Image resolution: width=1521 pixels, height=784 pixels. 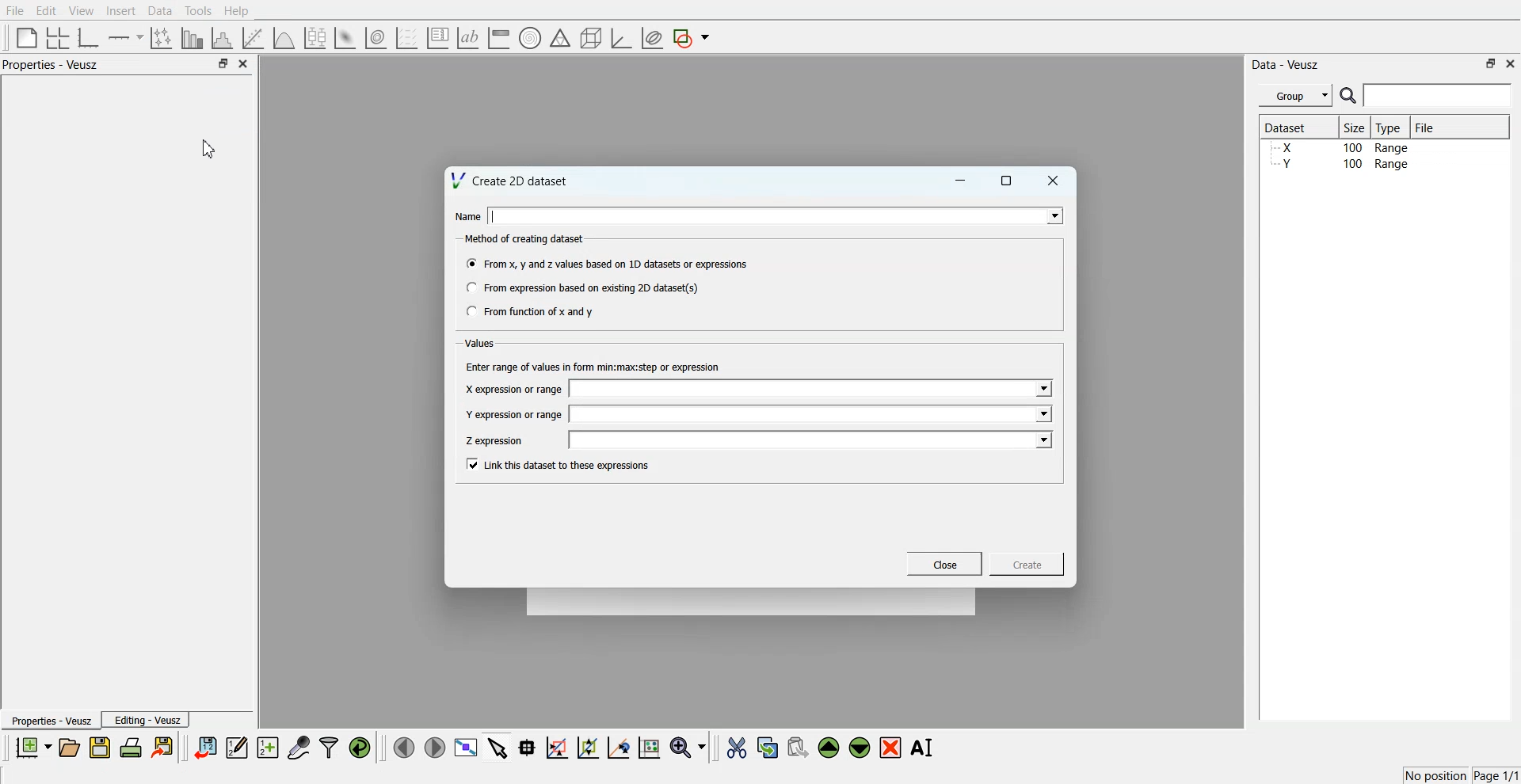 I want to click on View, so click(x=82, y=11).